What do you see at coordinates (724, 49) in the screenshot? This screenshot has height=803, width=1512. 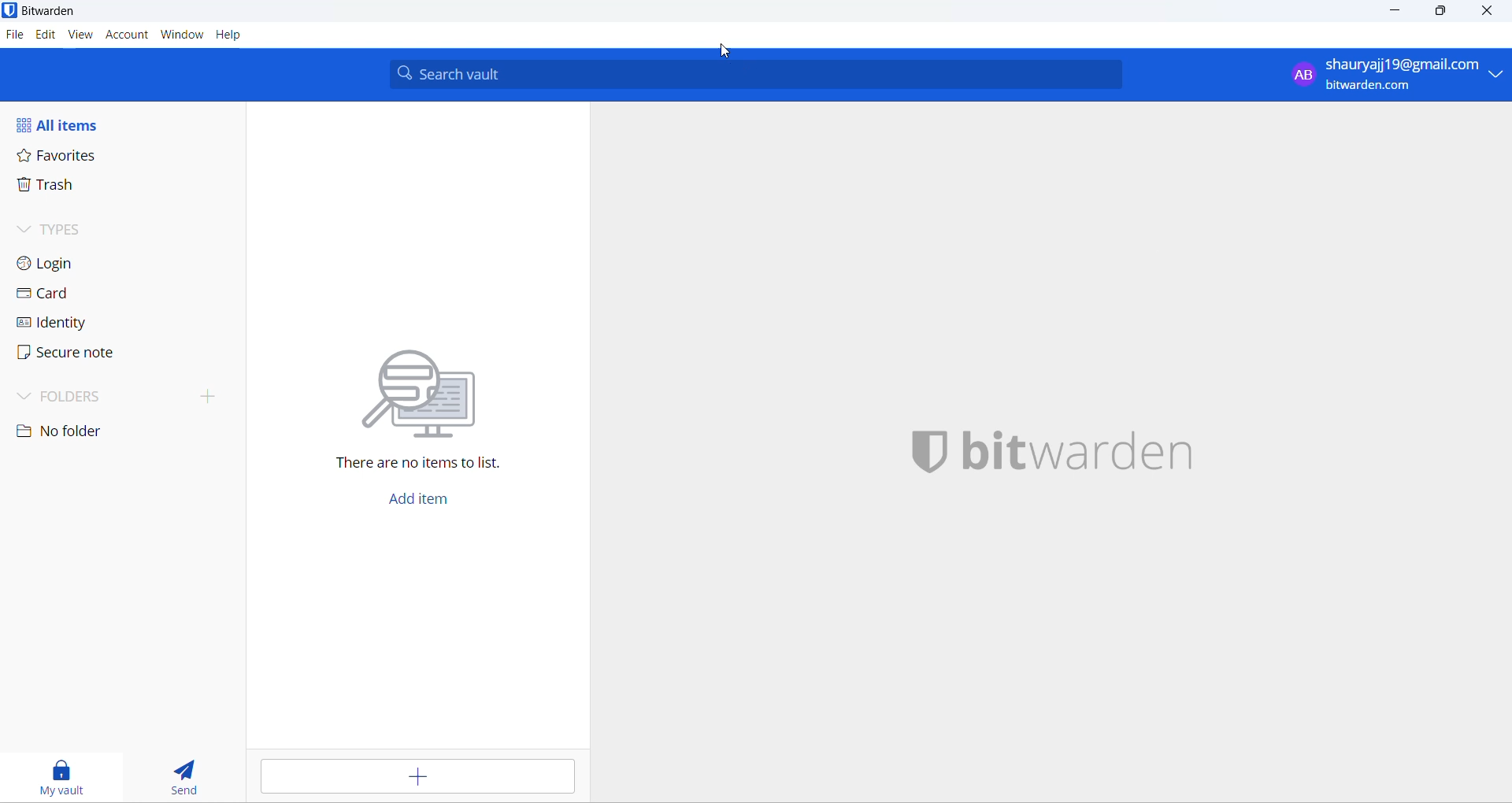 I see `cursor` at bounding box center [724, 49].